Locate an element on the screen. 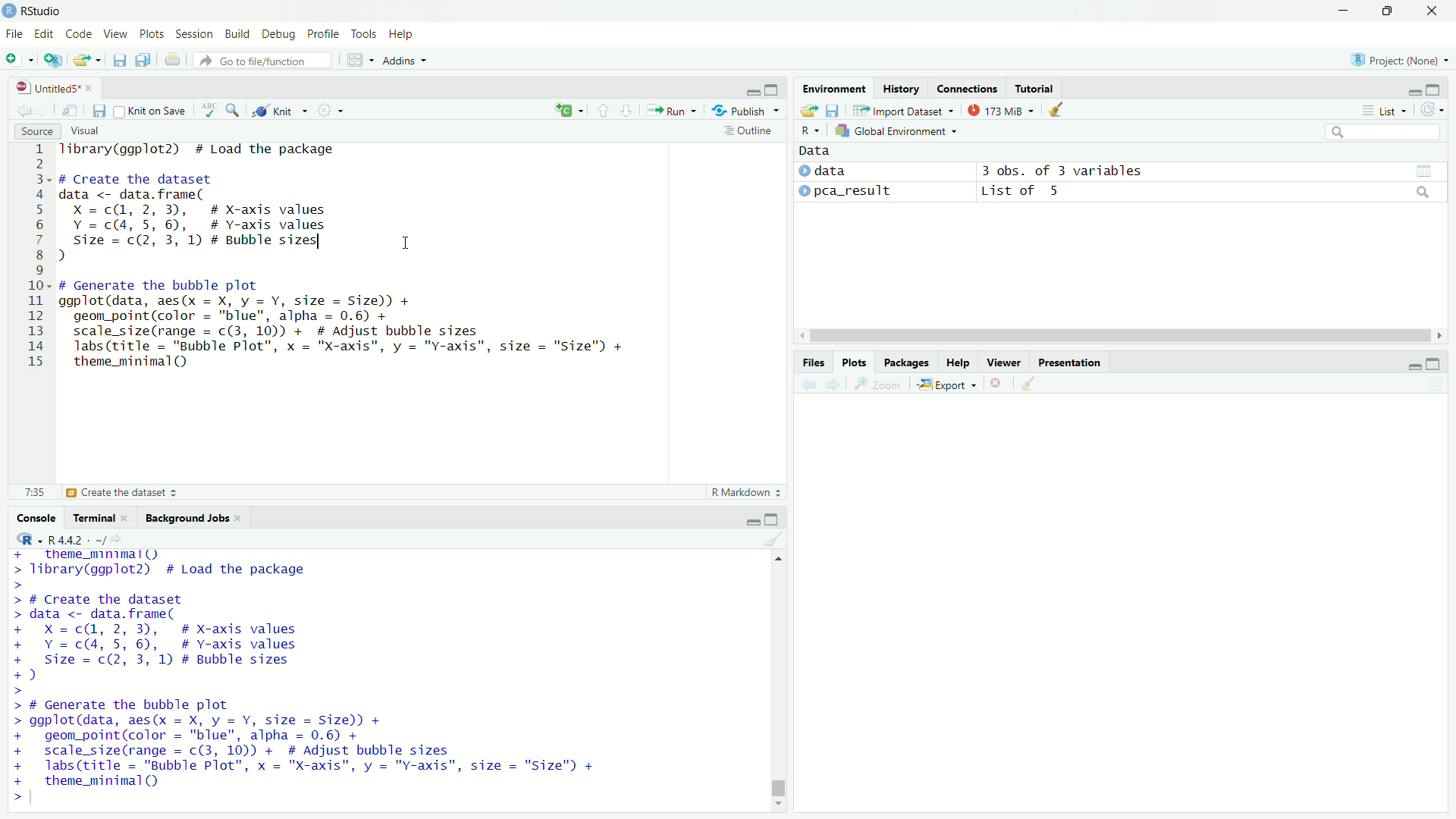 This screenshot has height=819, width=1456. minimize is located at coordinates (1416, 88).